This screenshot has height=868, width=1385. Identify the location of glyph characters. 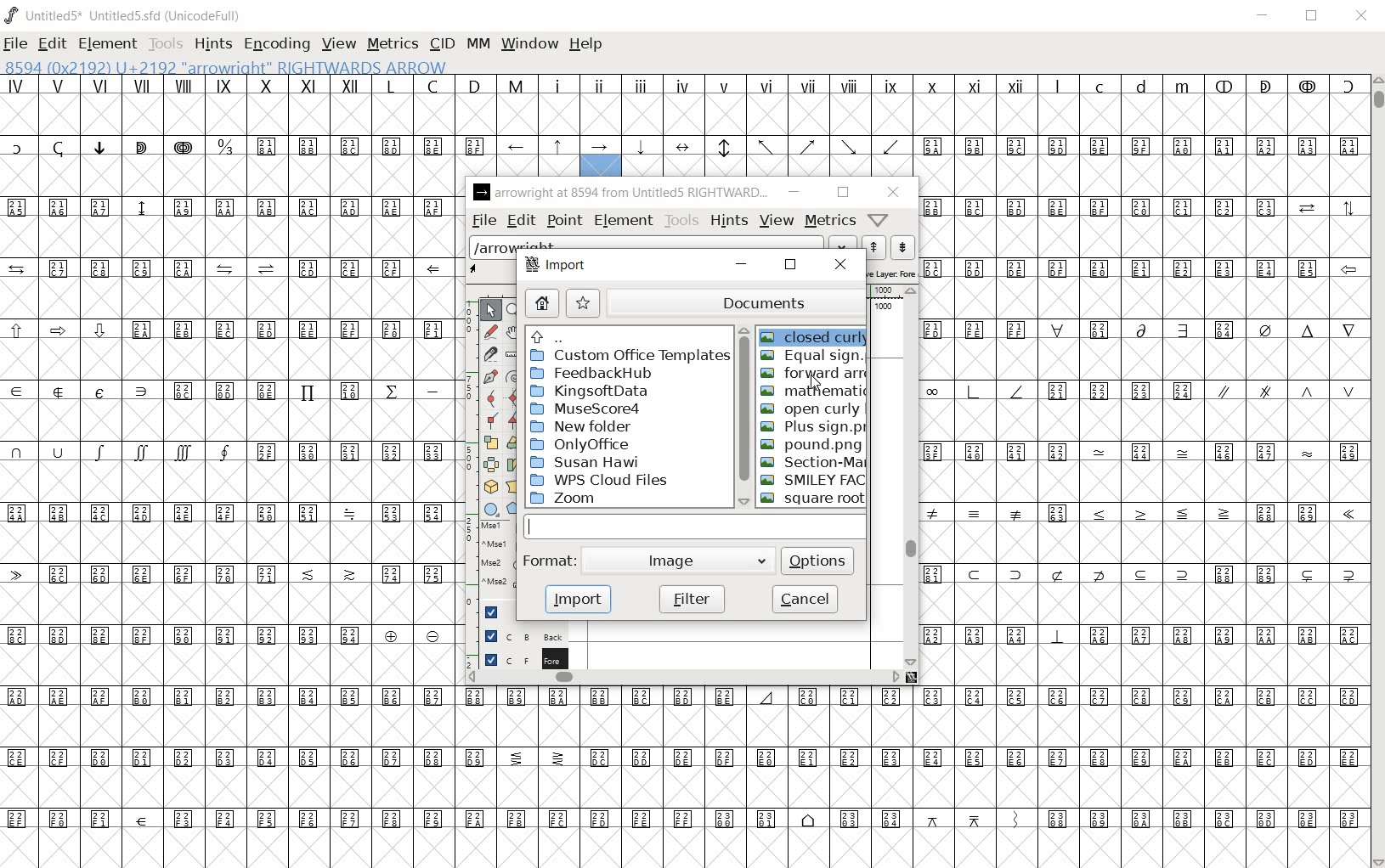
(996, 125).